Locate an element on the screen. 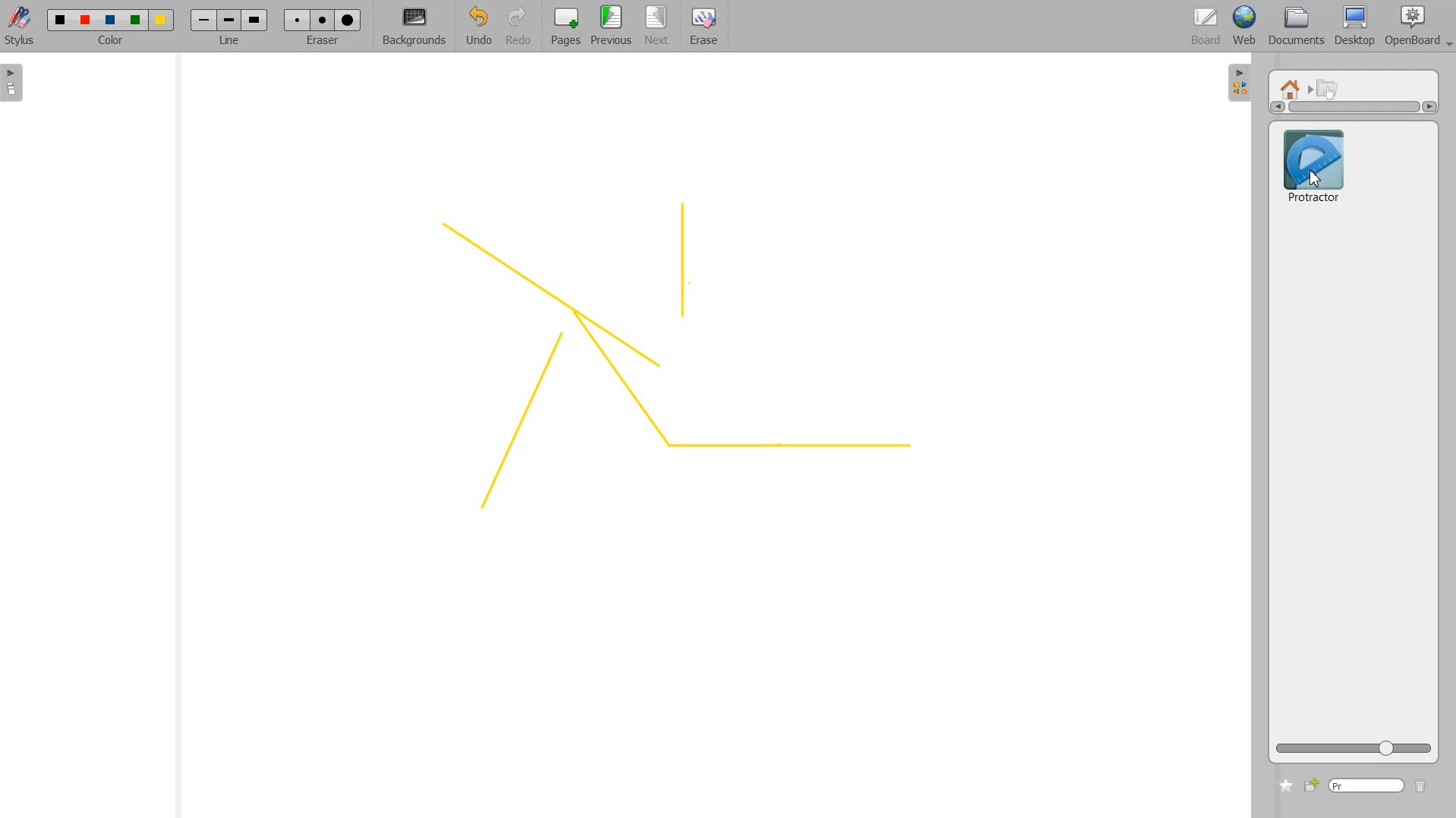 Image resolution: width=1456 pixels, height=818 pixels. Color is located at coordinates (111, 17).